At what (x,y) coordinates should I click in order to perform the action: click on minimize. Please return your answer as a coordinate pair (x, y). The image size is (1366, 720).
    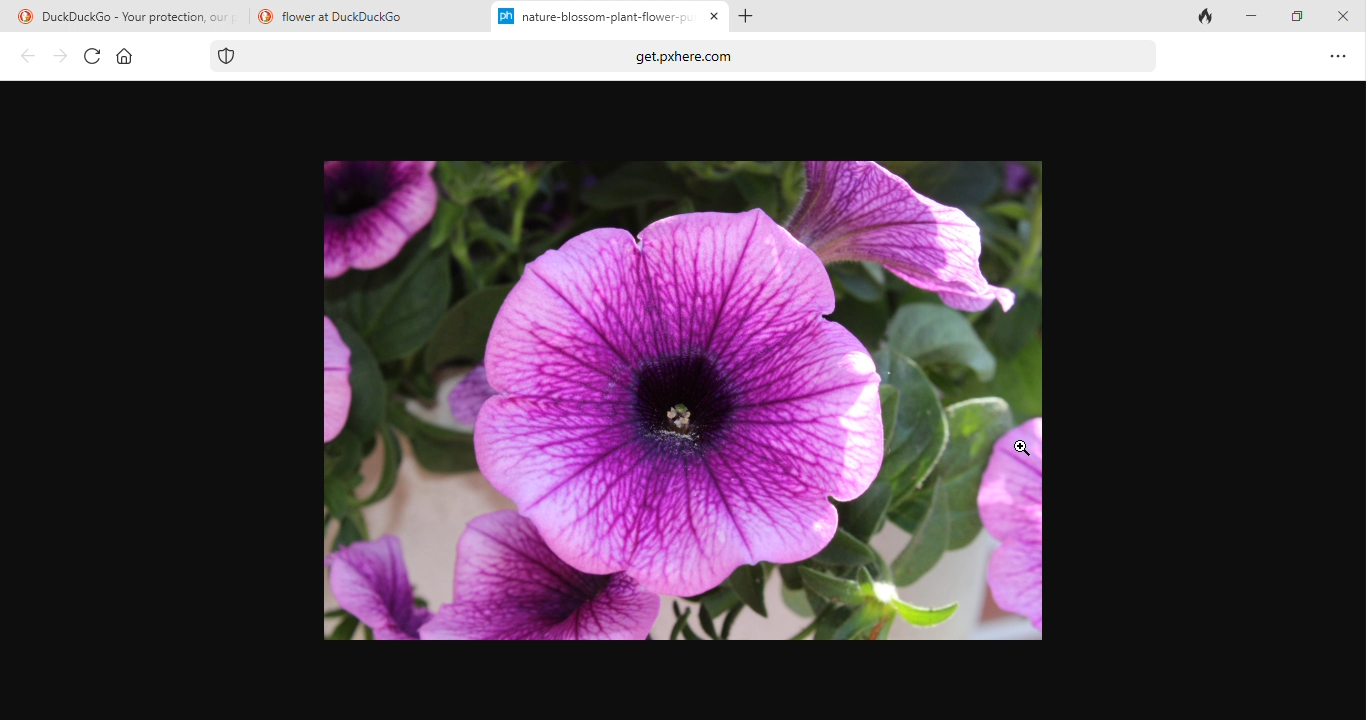
    Looking at the image, I should click on (1251, 17).